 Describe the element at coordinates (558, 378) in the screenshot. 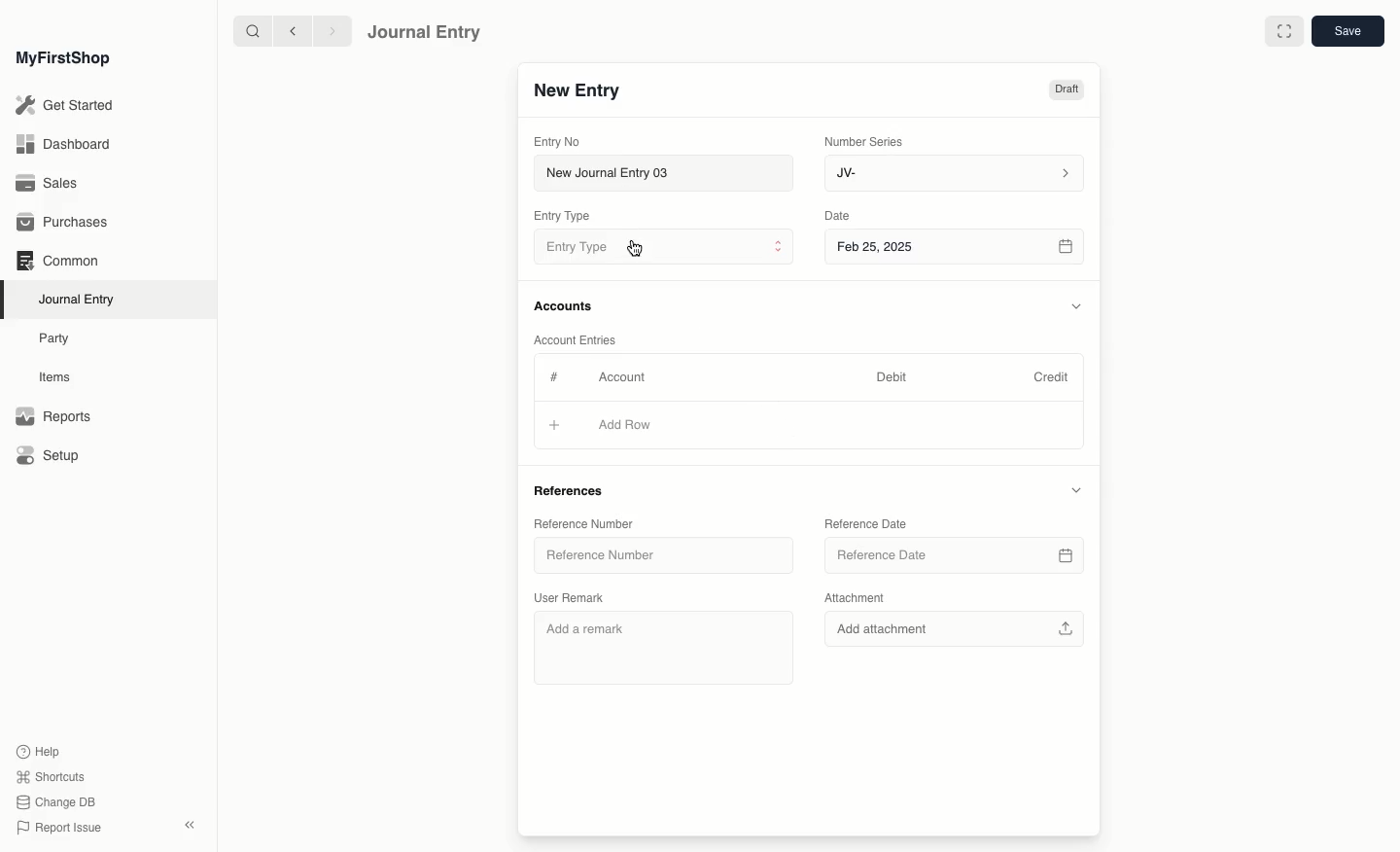

I see `Hashtag` at that location.